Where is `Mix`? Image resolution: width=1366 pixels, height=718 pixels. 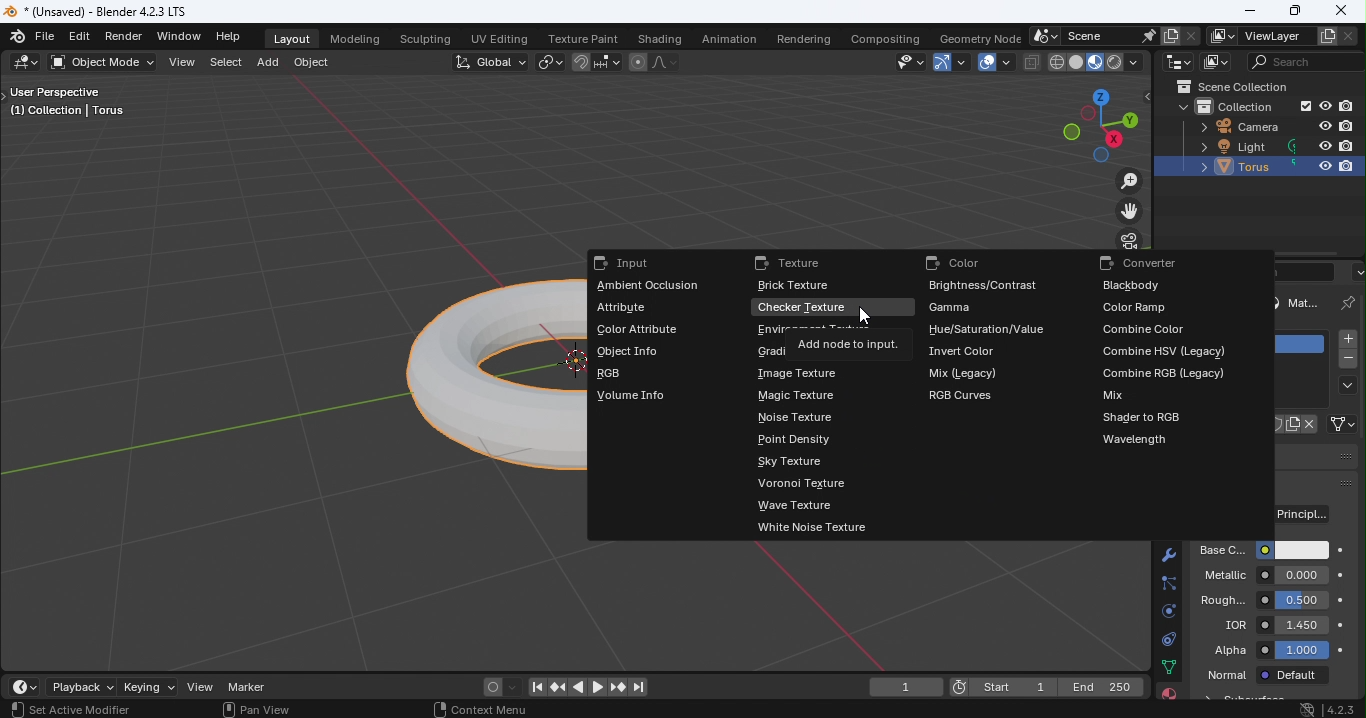
Mix is located at coordinates (1120, 395).